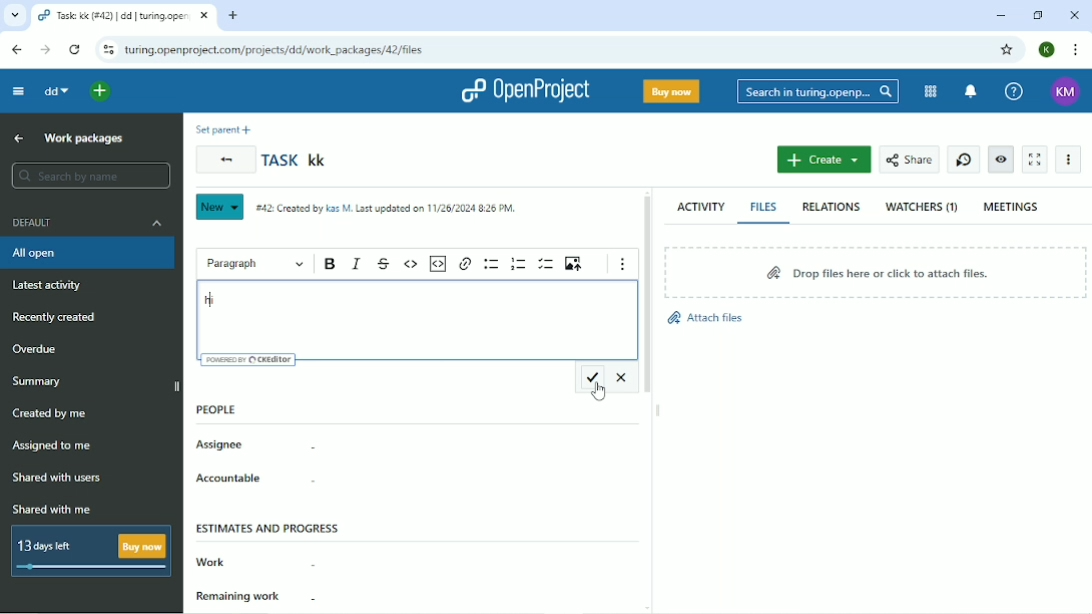  Describe the element at coordinates (90, 175) in the screenshot. I see `Search by name` at that location.